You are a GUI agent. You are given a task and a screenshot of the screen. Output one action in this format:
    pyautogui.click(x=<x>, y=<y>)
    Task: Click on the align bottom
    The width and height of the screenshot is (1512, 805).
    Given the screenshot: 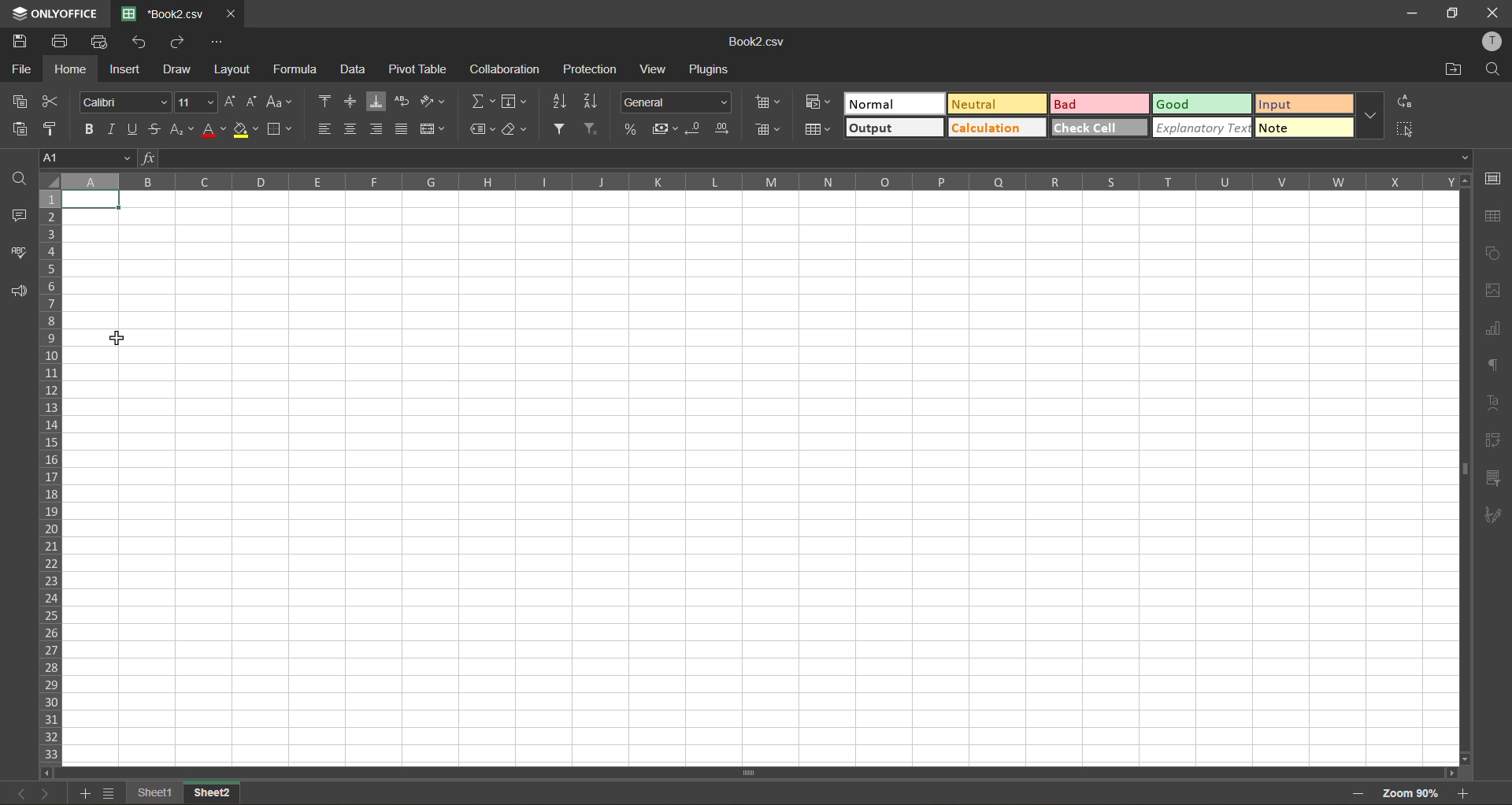 What is the action you would take?
    pyautogui.click(x=377, y=101)
    